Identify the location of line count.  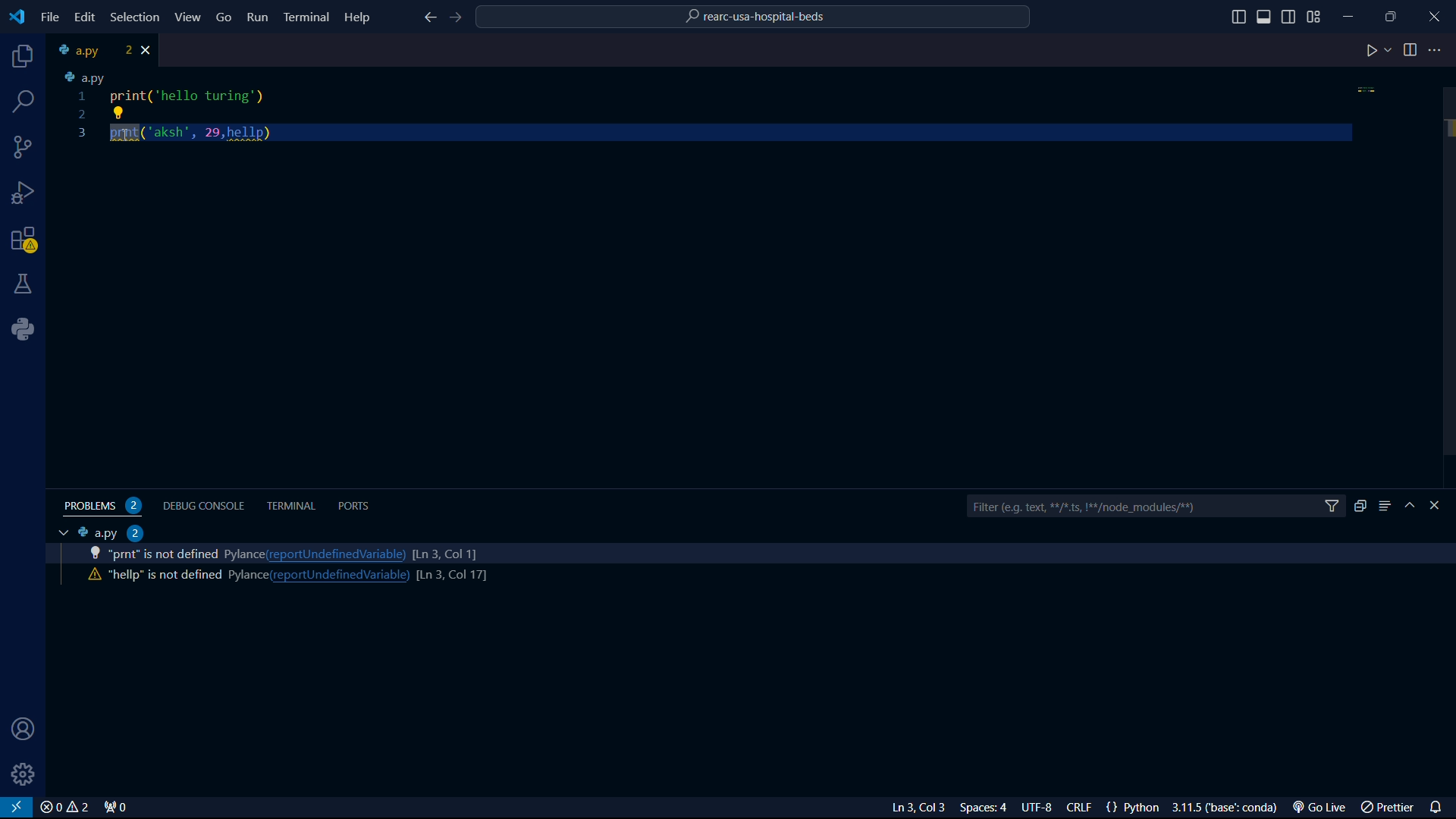
(450, 576).